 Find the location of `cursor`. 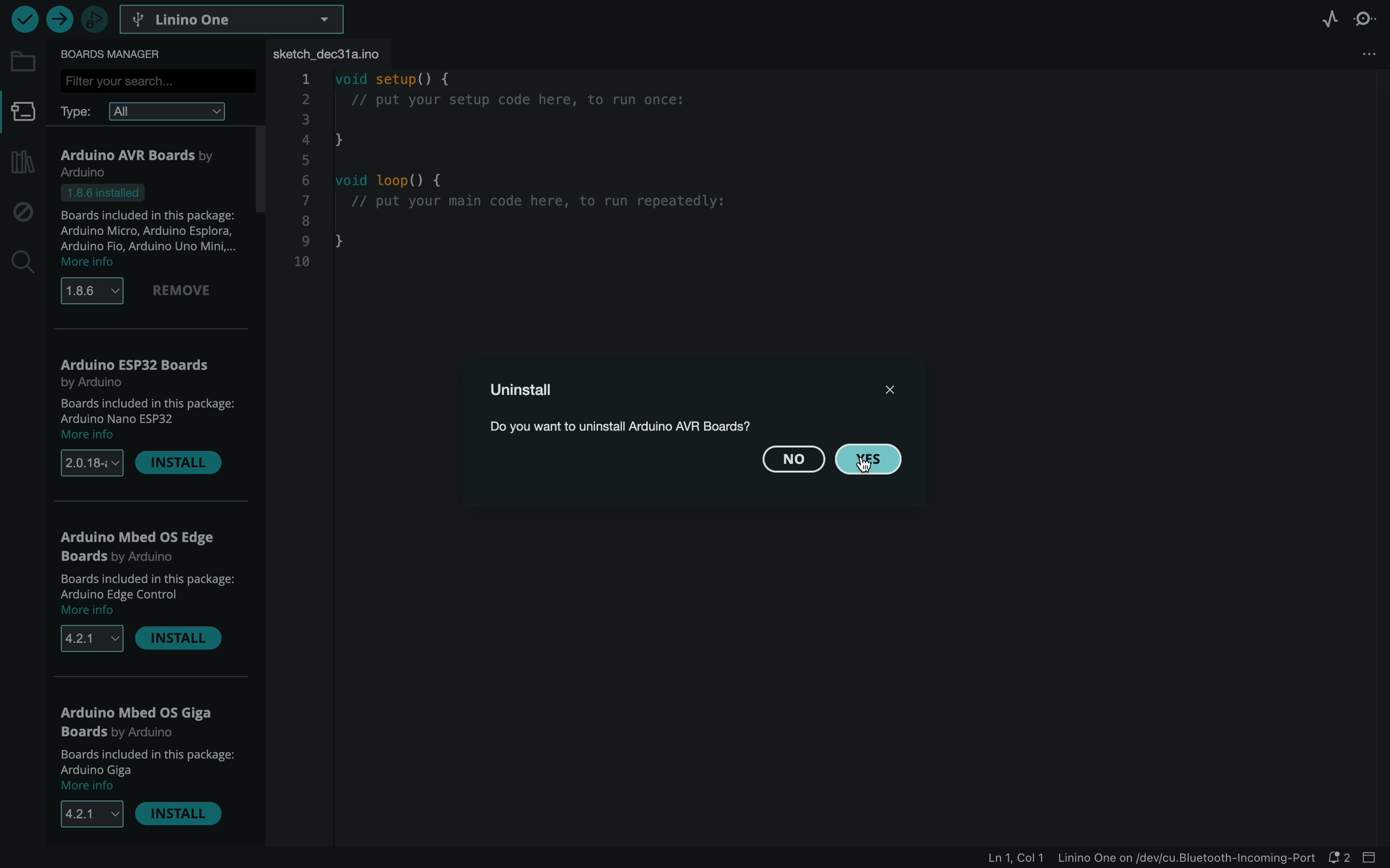

cursor is located at coordinates (863, 466).